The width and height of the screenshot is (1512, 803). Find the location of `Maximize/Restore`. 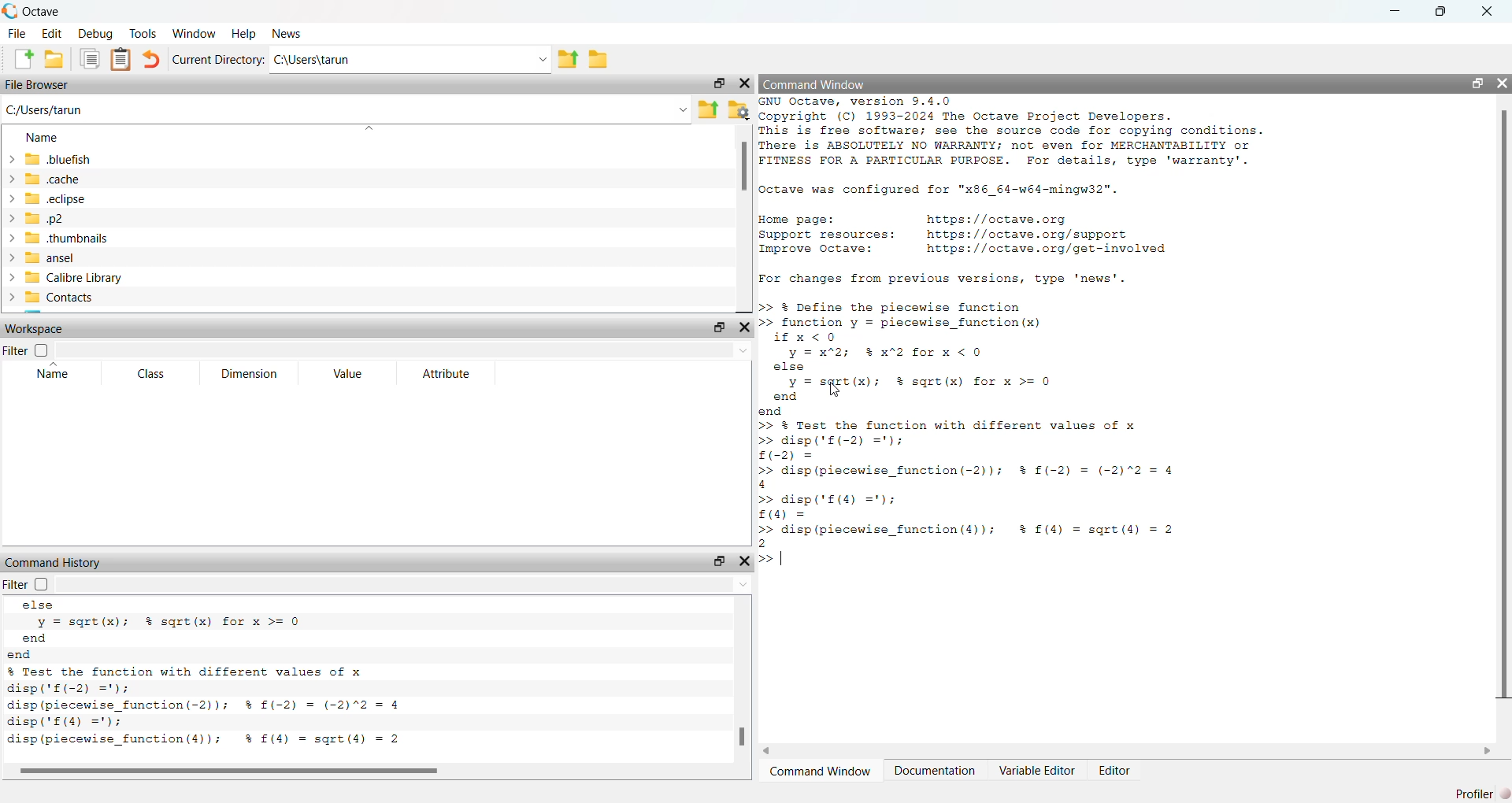

Maximize/Restore is located at coordinates (717, 327).